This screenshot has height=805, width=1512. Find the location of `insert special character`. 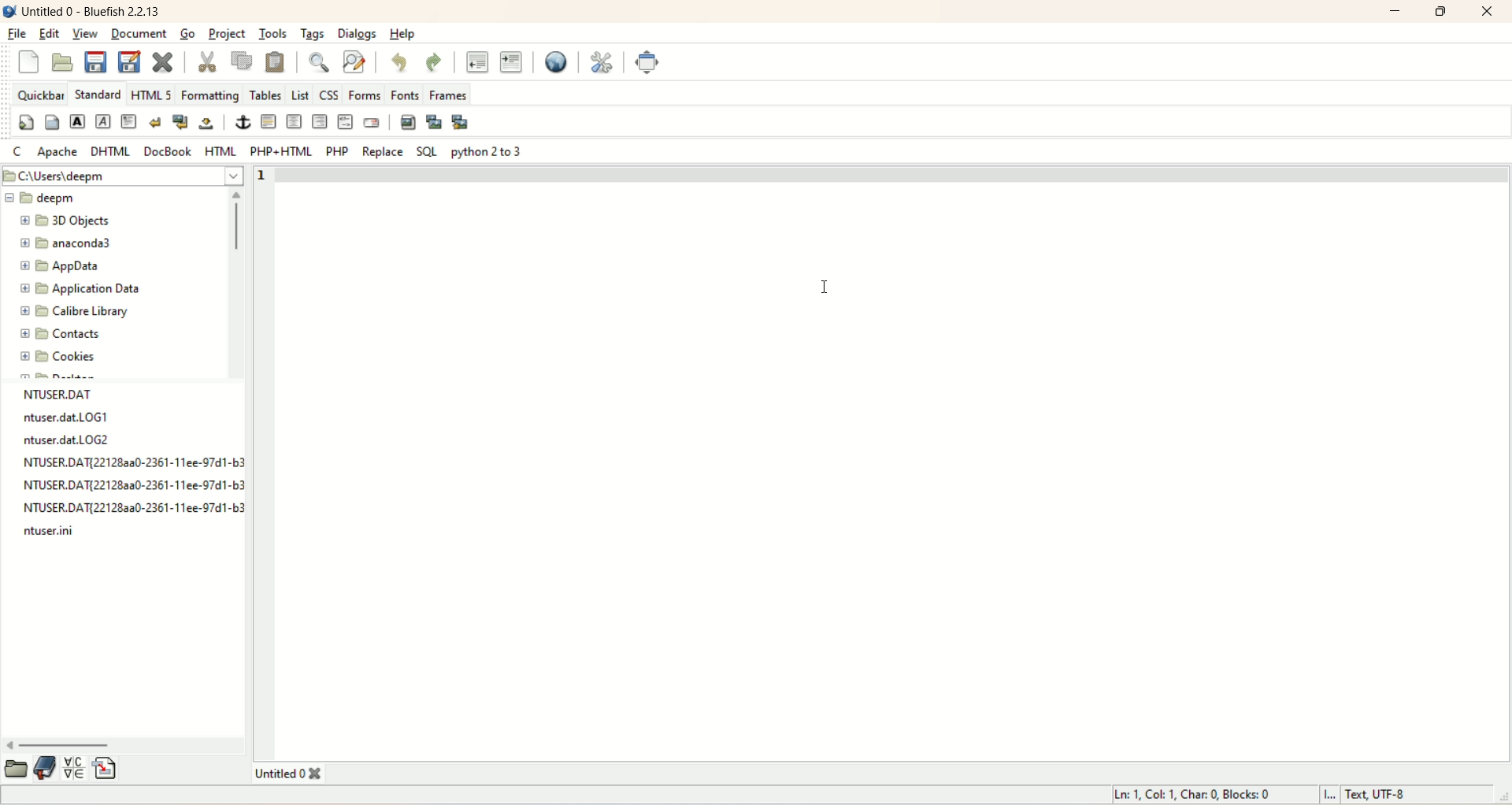

insert special character is located at coordinates (76, 768).